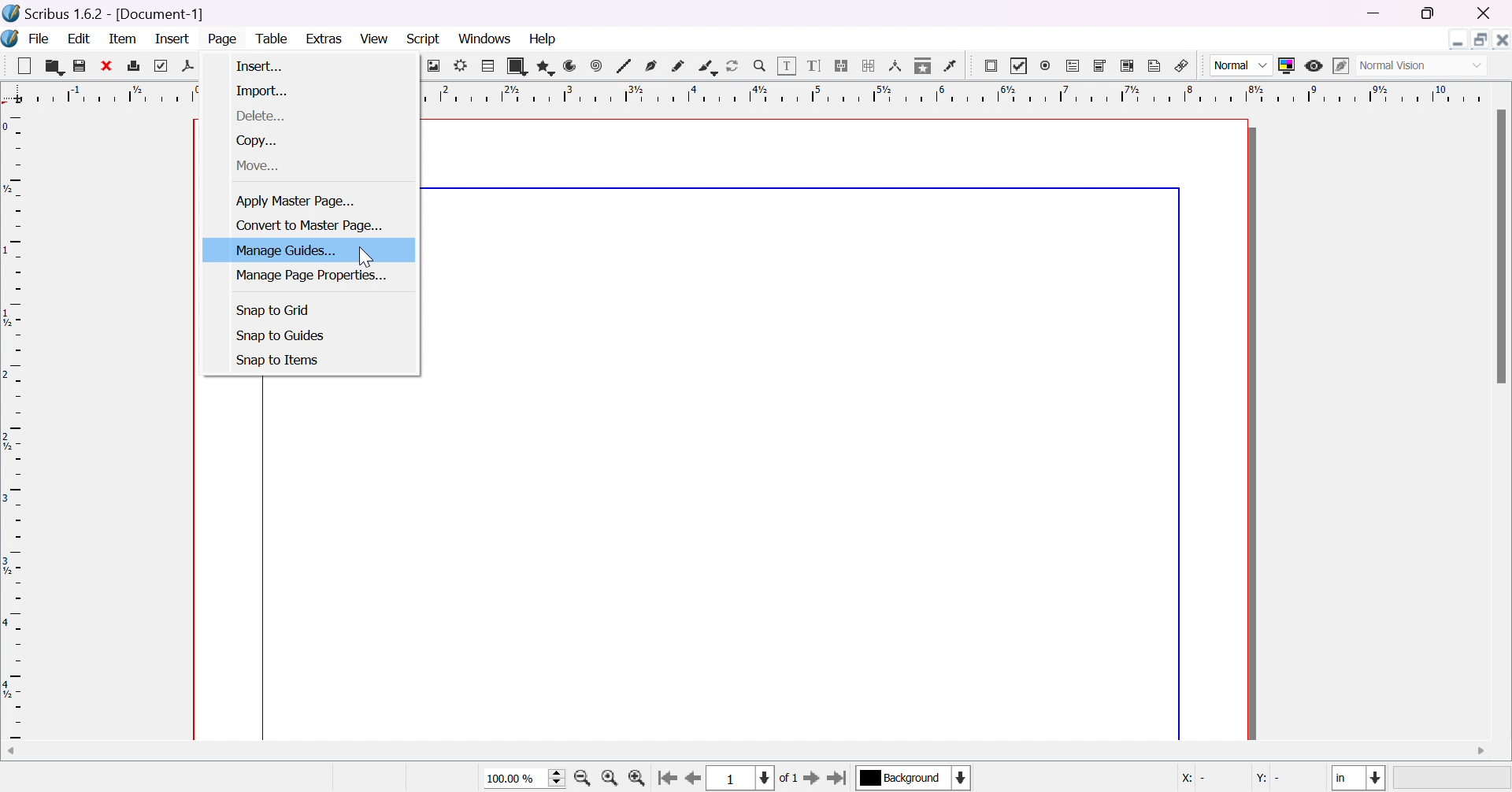 The image size is (1512, 792). What do you see at coordinates (1021, 66) in the screenshot?
I see `PDF checkbox` at bounding box center [1021, 66].